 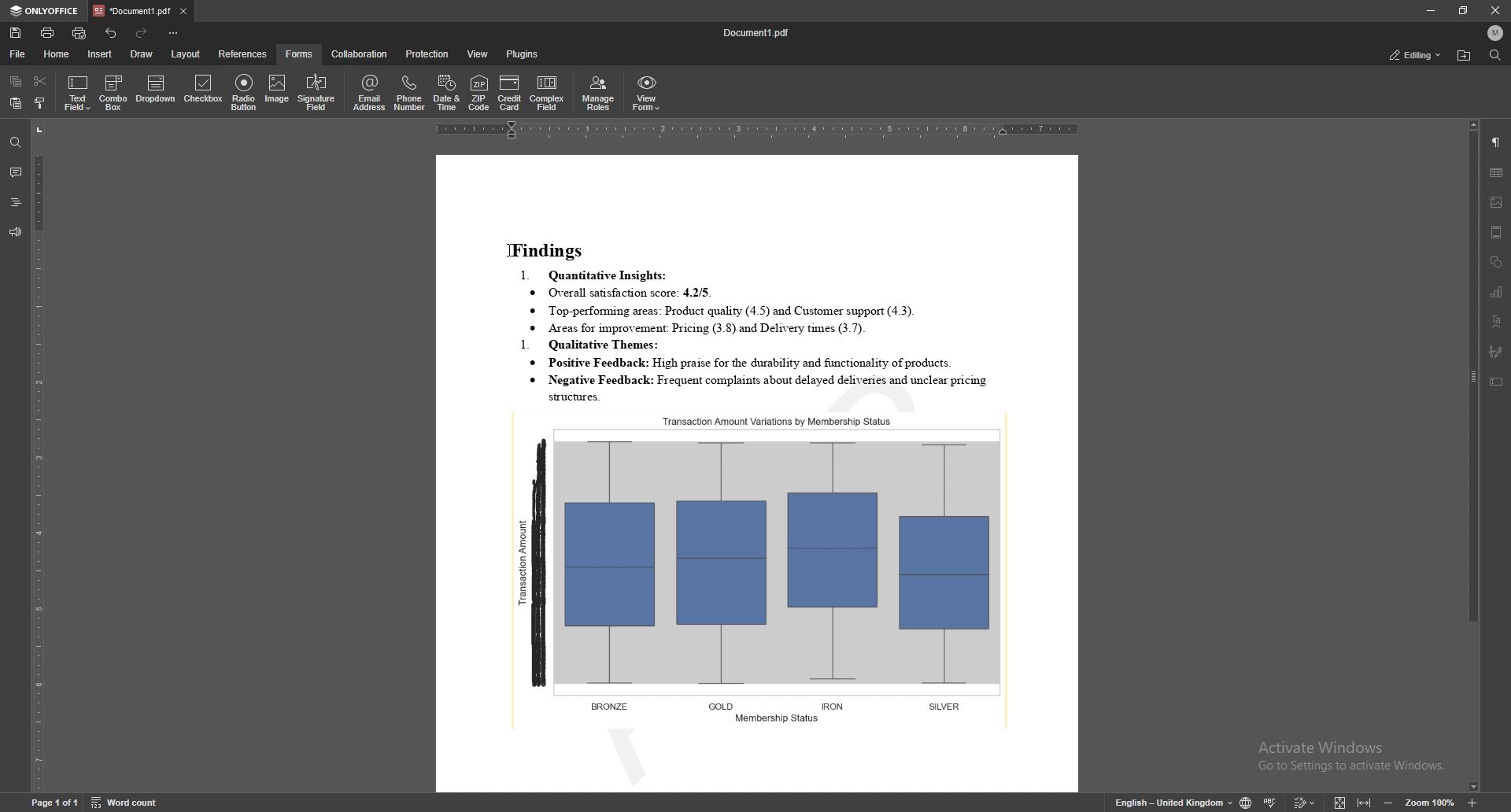 I want to click on header and footer, so click(x=1496, y=232).